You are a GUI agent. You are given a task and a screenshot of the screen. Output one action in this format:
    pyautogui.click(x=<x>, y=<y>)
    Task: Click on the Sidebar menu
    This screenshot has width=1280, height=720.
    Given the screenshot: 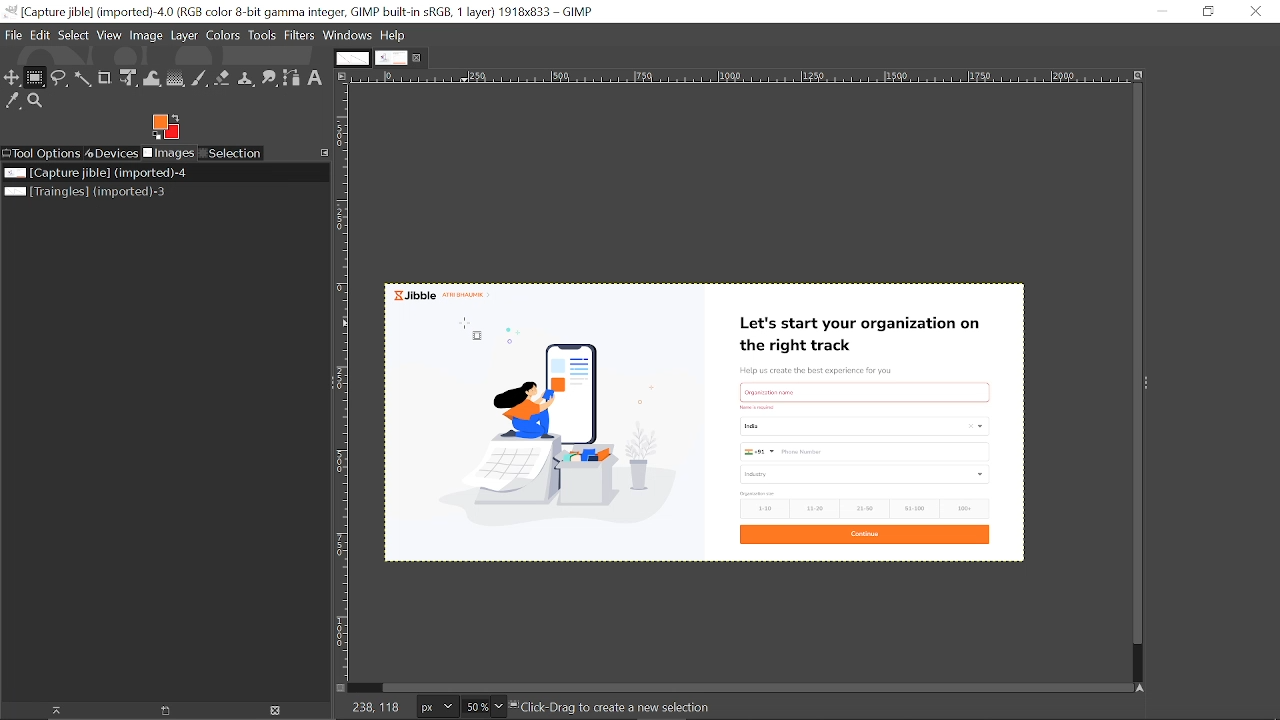 What is the action you would take?
    pyautogui.click(x=328, y=386)
    